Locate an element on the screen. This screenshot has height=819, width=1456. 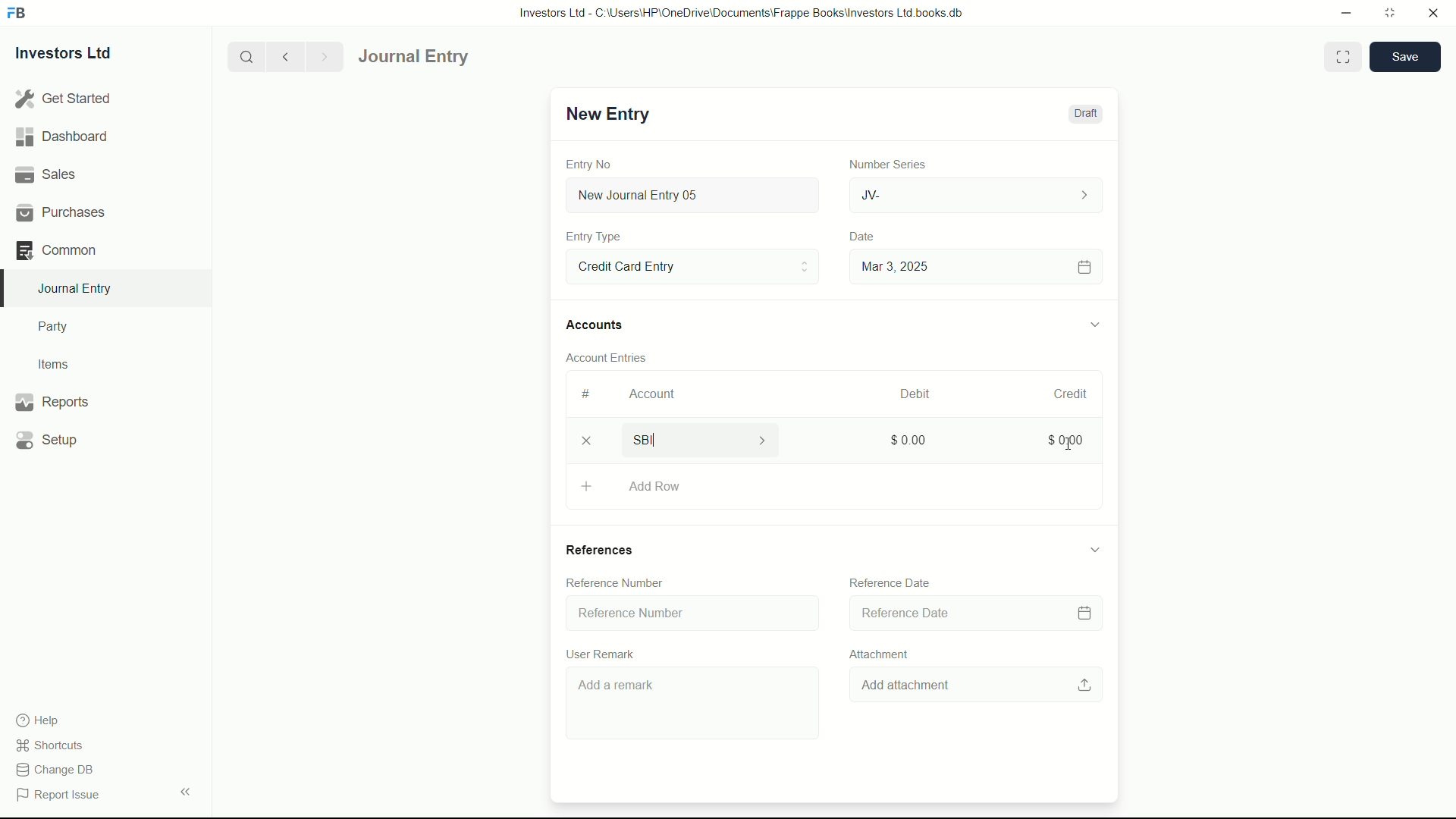
New Entry is located at coordinates (605, 114).